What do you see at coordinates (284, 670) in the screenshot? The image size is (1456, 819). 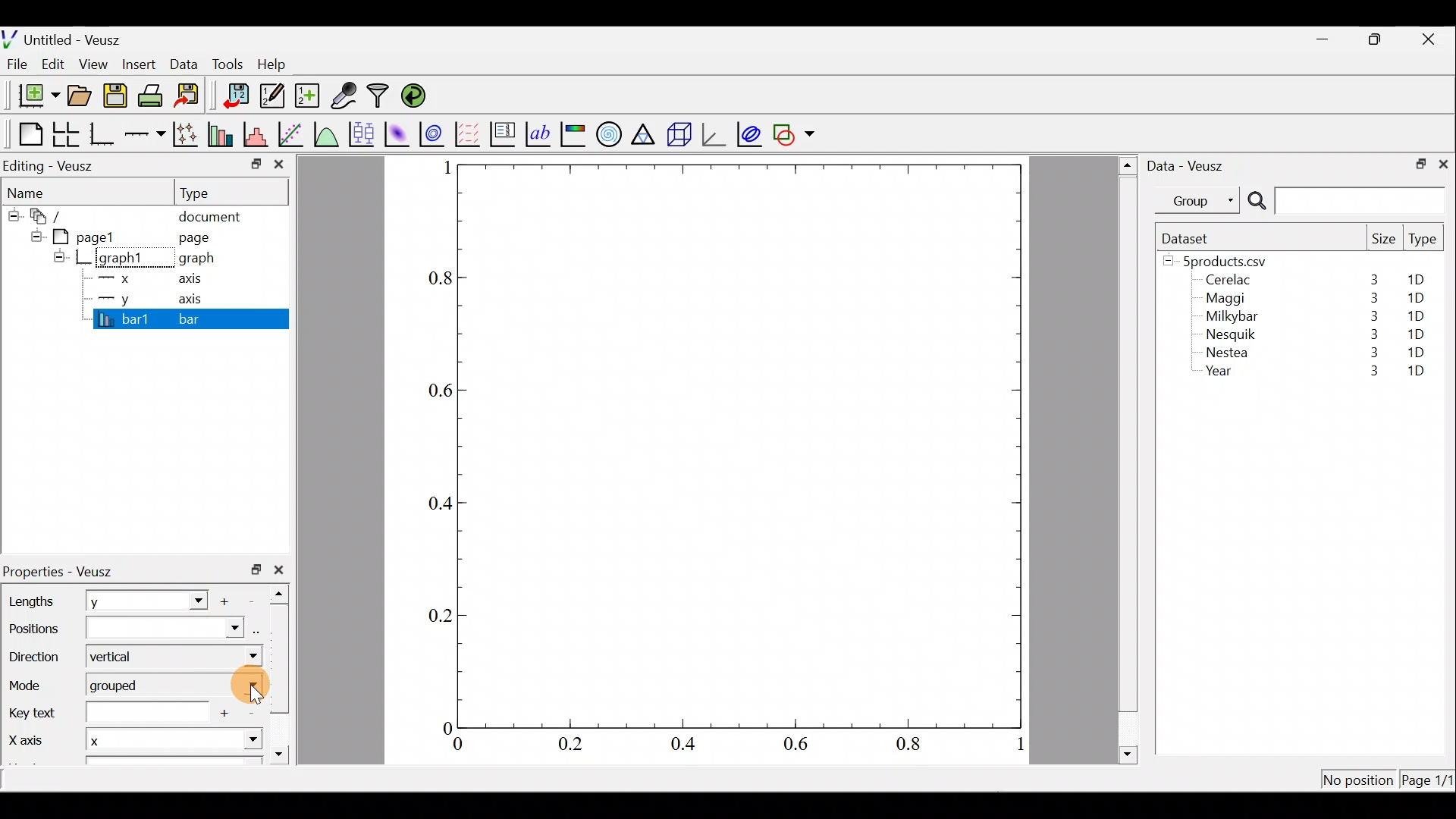 I see `scroll bar` at bounding box center [284, 670].